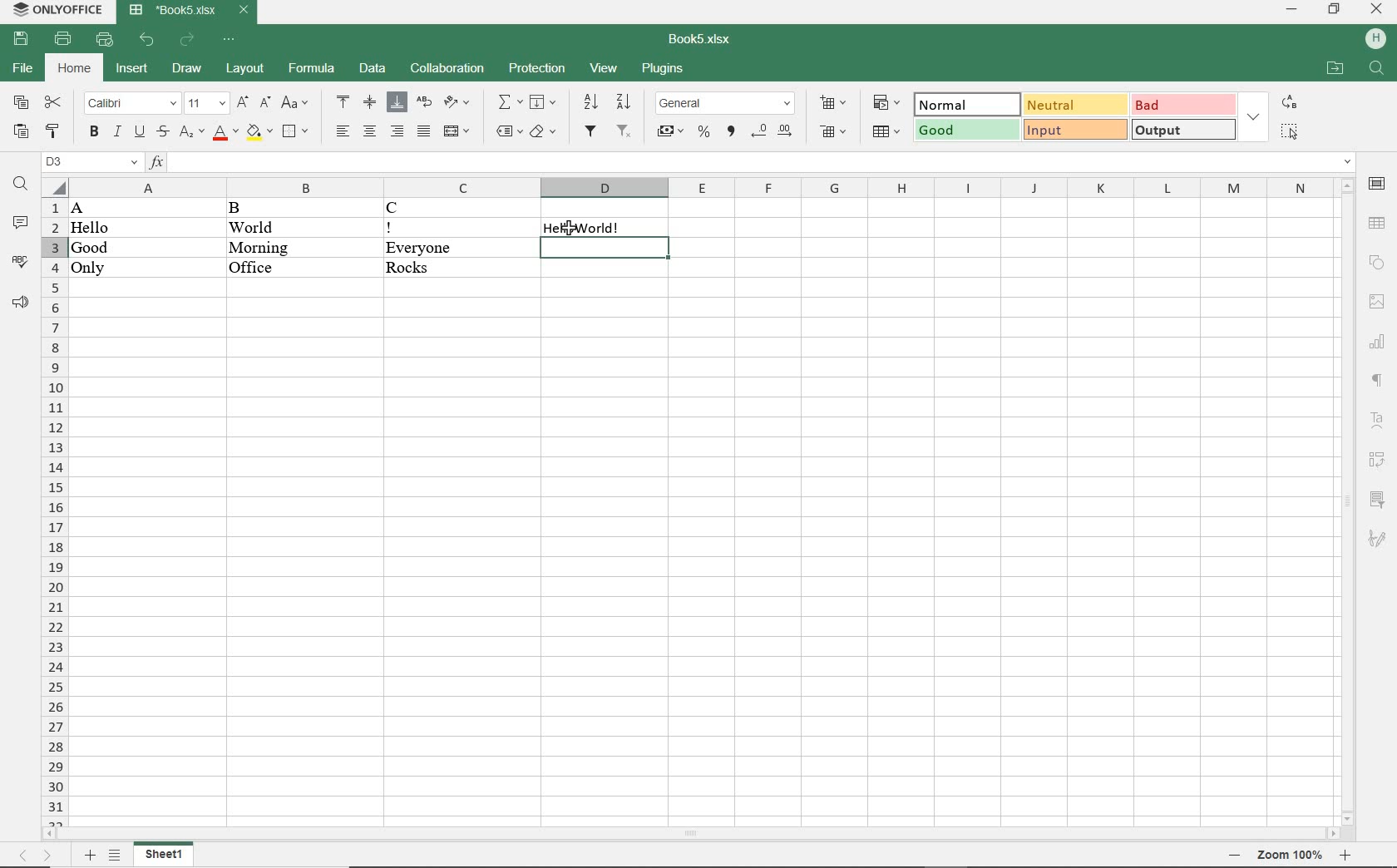  Describe the element at coordinates (89, 854) in the screenshot. I see `ADD SHEETS` at that location.